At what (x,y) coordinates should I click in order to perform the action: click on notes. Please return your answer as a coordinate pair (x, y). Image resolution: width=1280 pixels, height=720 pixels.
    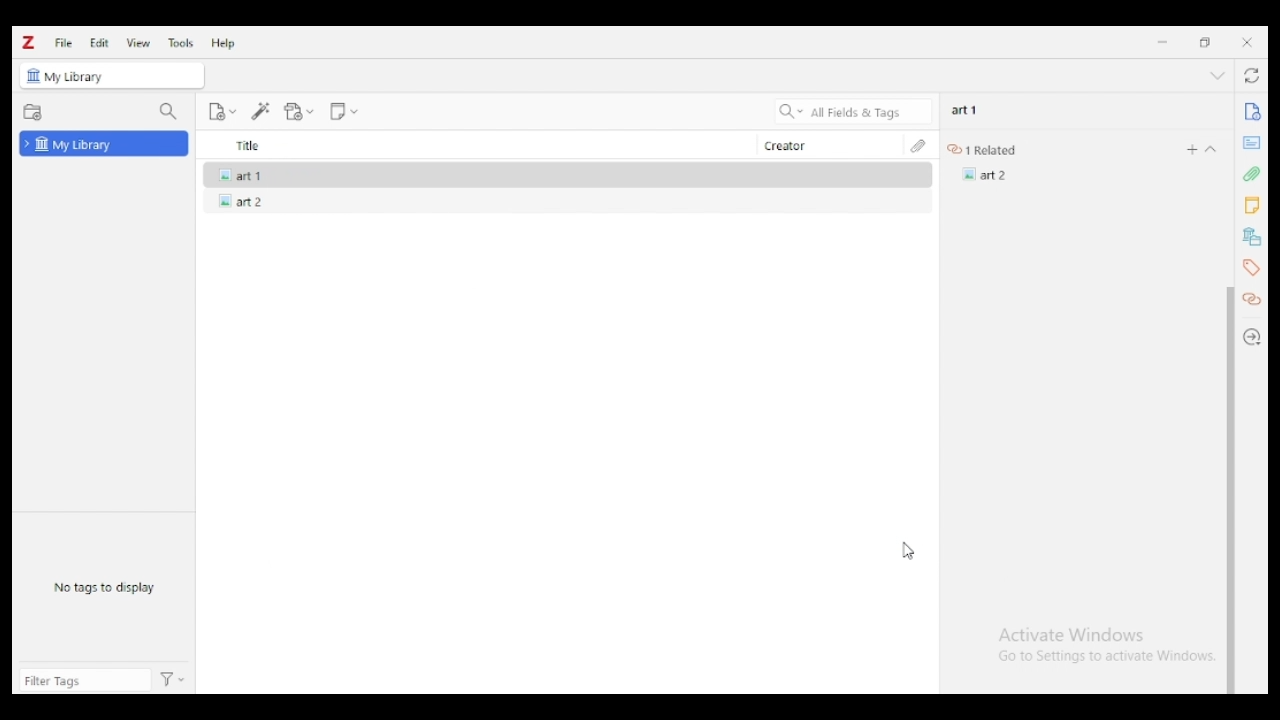
    Looking at the image, I should click on (1251, 206).